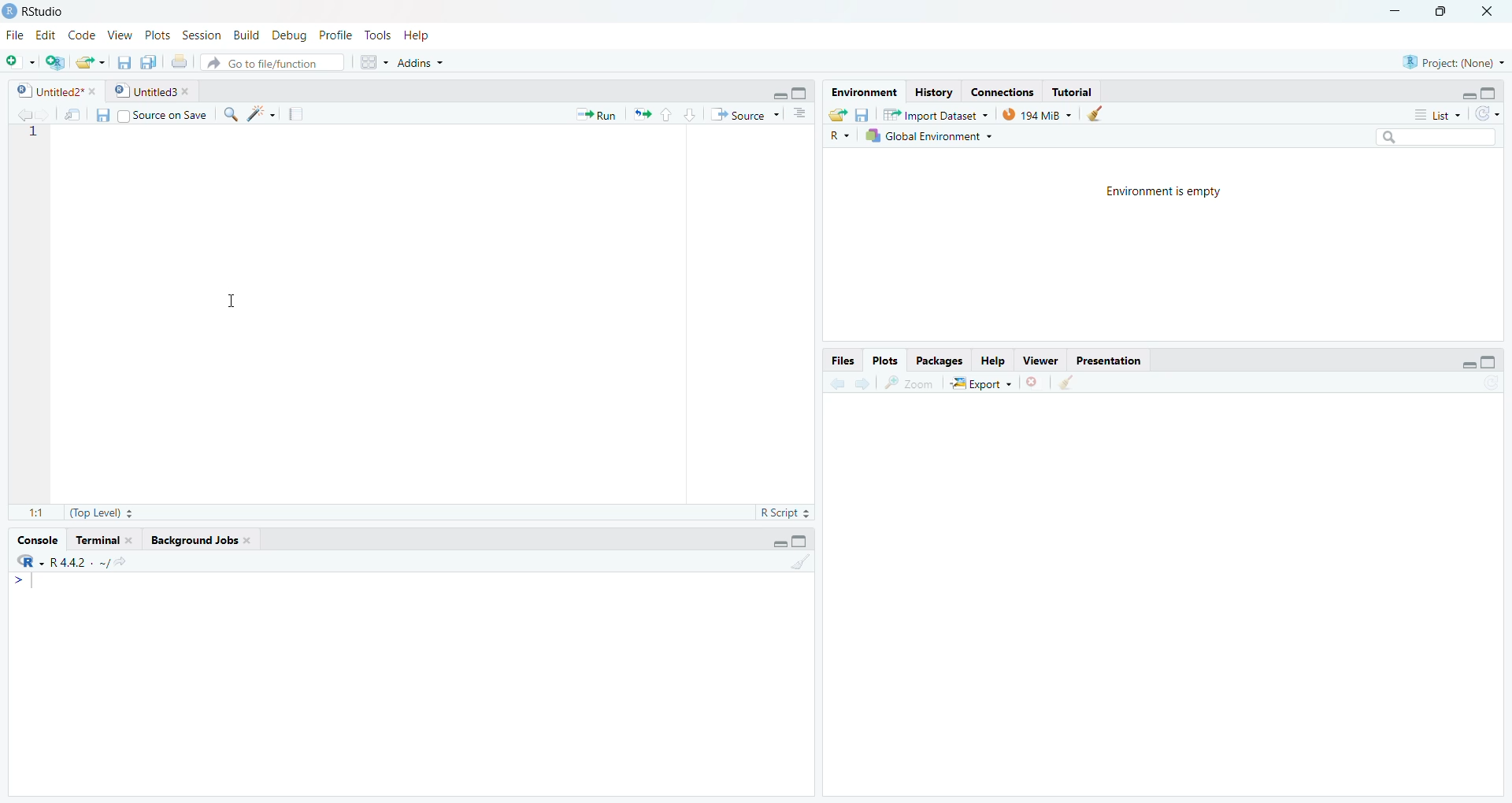 This screenshot has width=1512, height=803. What do you see at coordinates (26, 563) in the screenshot?
I see `R` at bounding box center [26, 563].